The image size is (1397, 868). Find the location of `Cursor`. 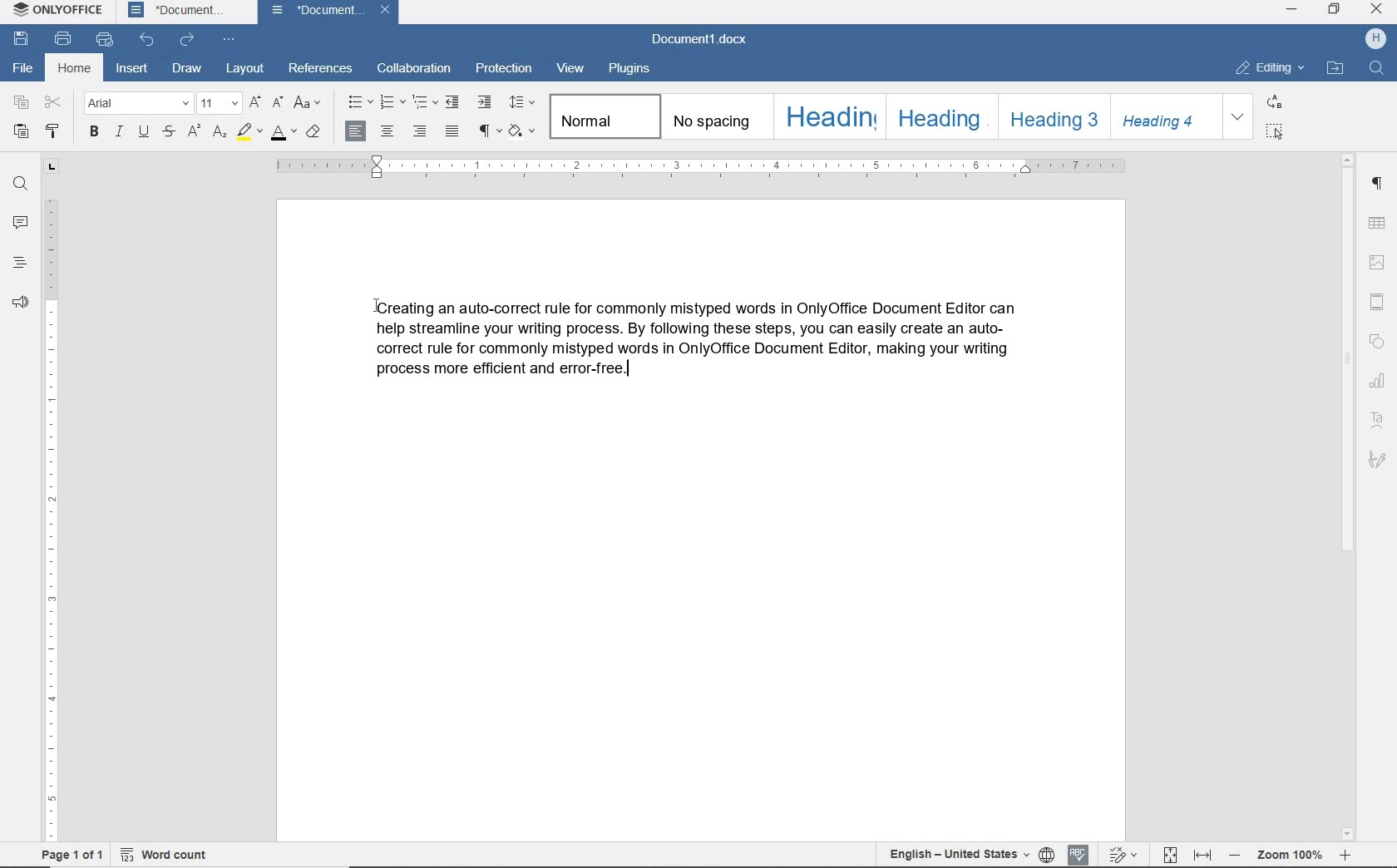

Cursor is located at coordinates (382, 306).